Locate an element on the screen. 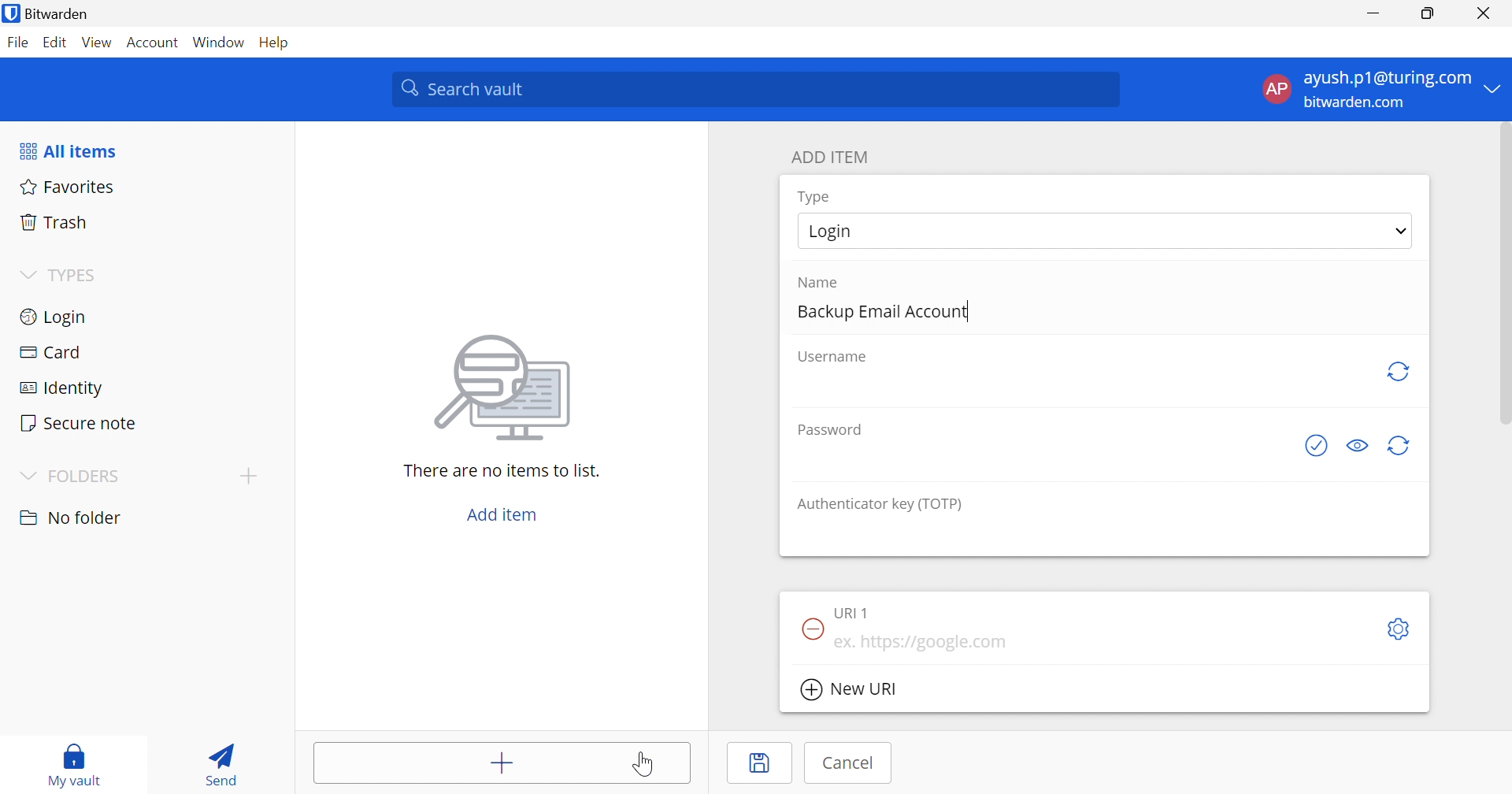 This screenshot has height=794, width=1512. Save is located at coordinates (759, 764).